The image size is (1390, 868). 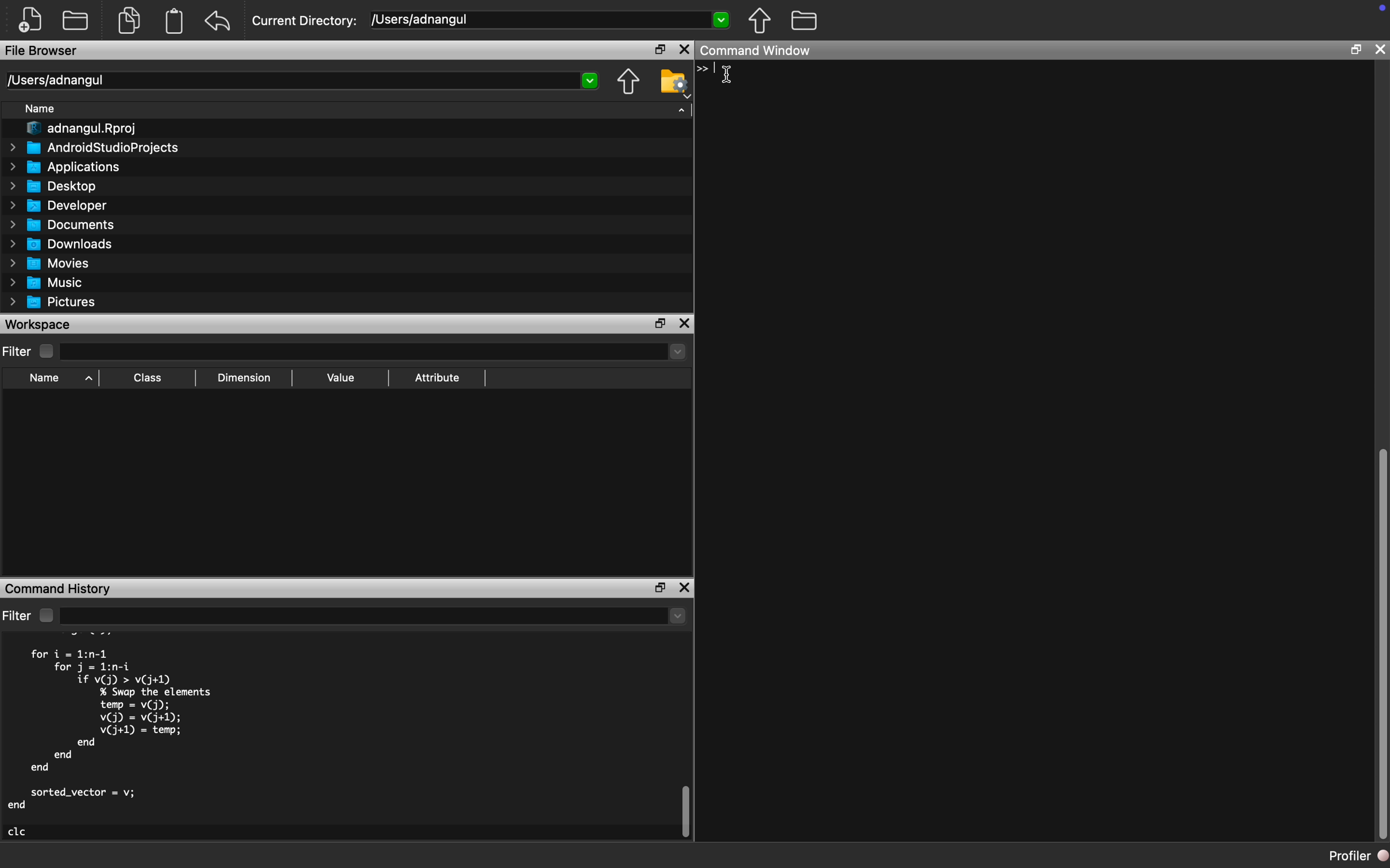 I want to click on Clipboard, so click(x=173, y=21).